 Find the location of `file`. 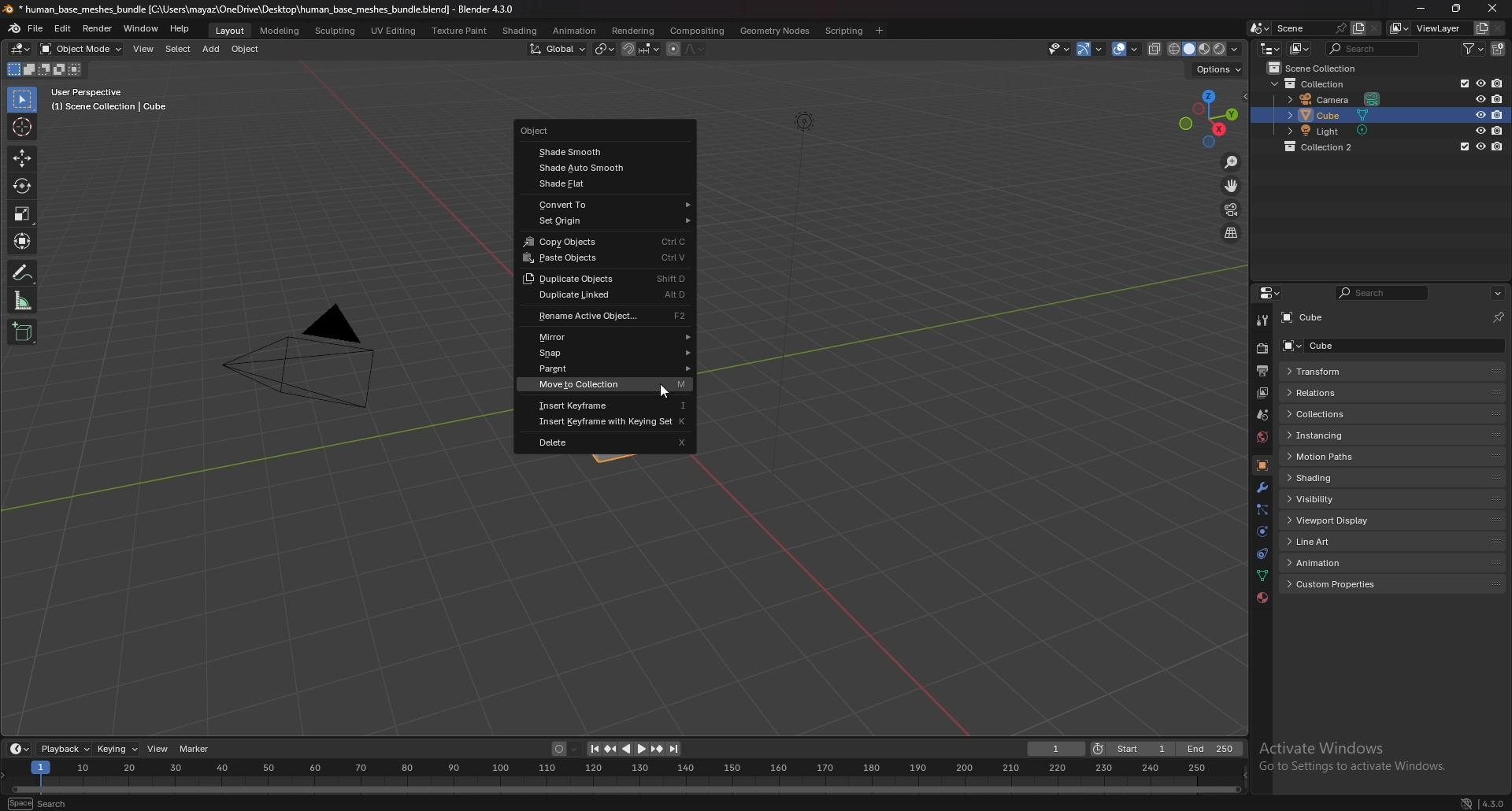

file is located at coordinates (36, 29).